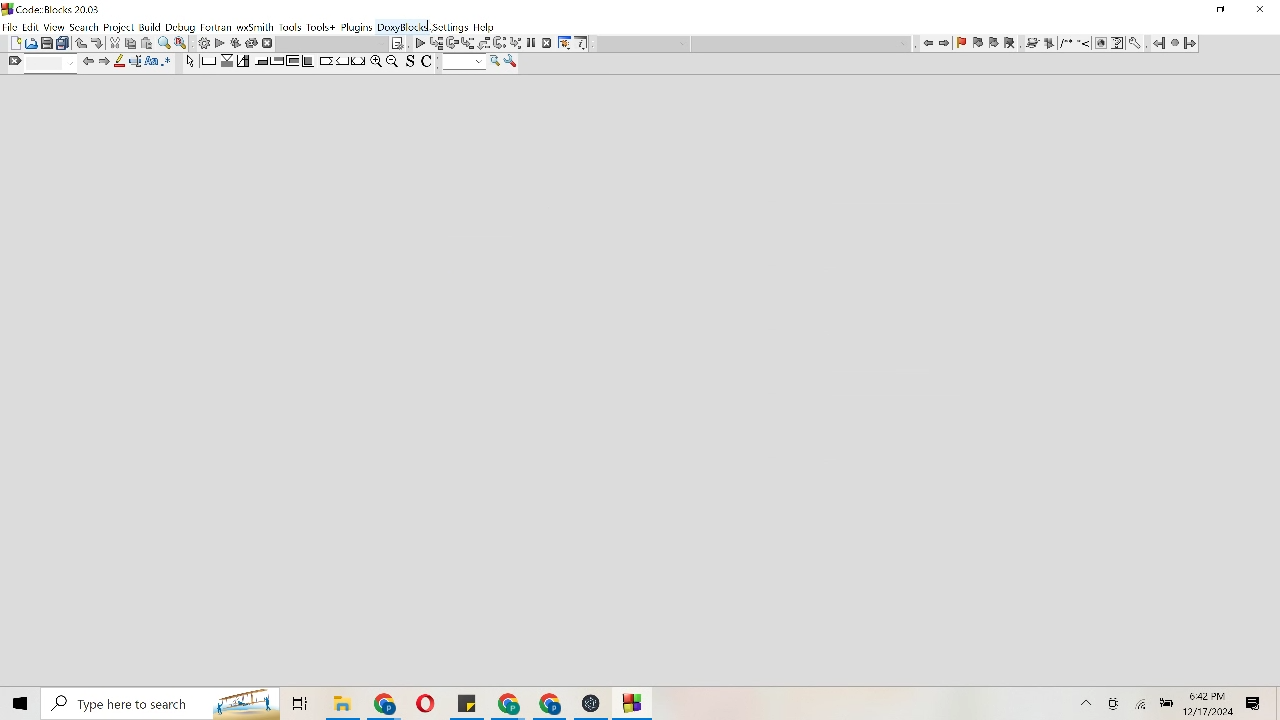  What do you see at coordinates (986, 43) in the screenshot?
I see `flag item` at bounding box center [986, 43].